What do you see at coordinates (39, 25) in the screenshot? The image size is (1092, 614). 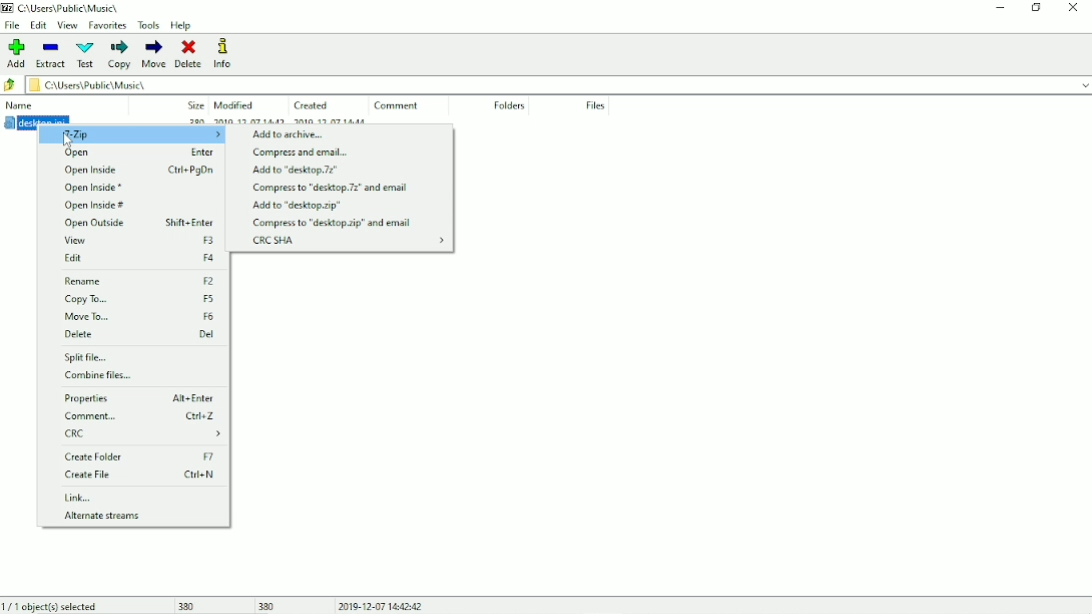 I see `Edit` at bounding box center [39, 25].